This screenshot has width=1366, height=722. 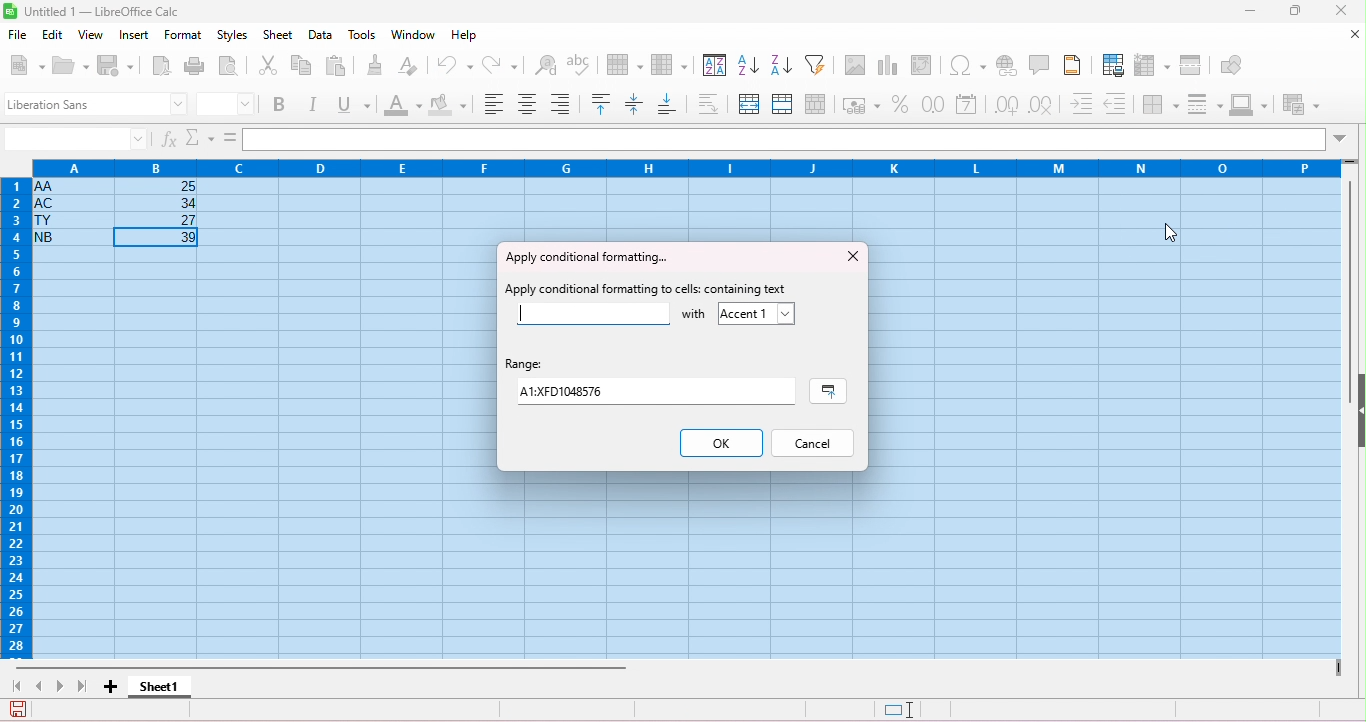 I want to click on split , so click(x=1193, y=64).